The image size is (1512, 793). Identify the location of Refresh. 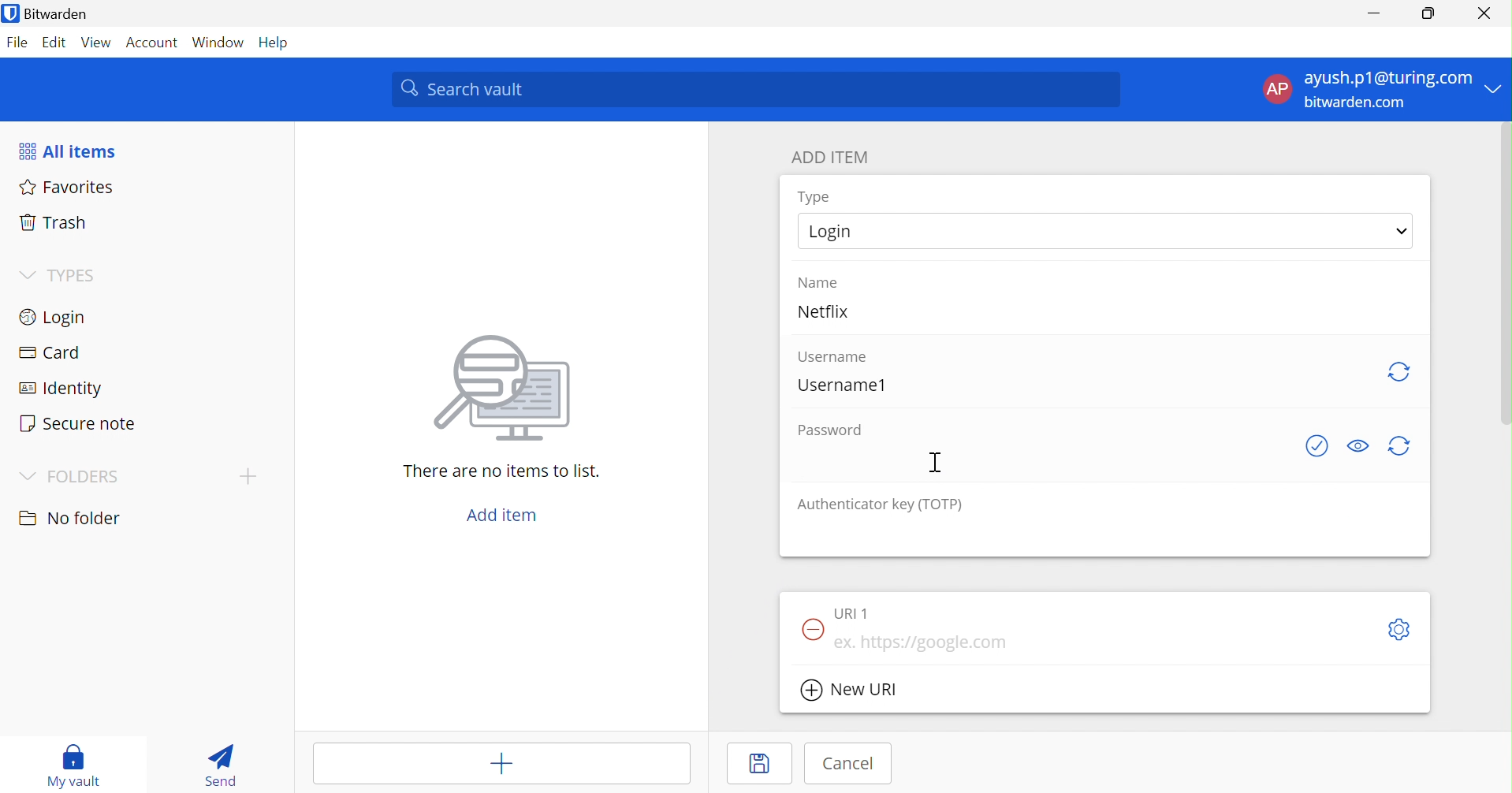
(1402, 374).